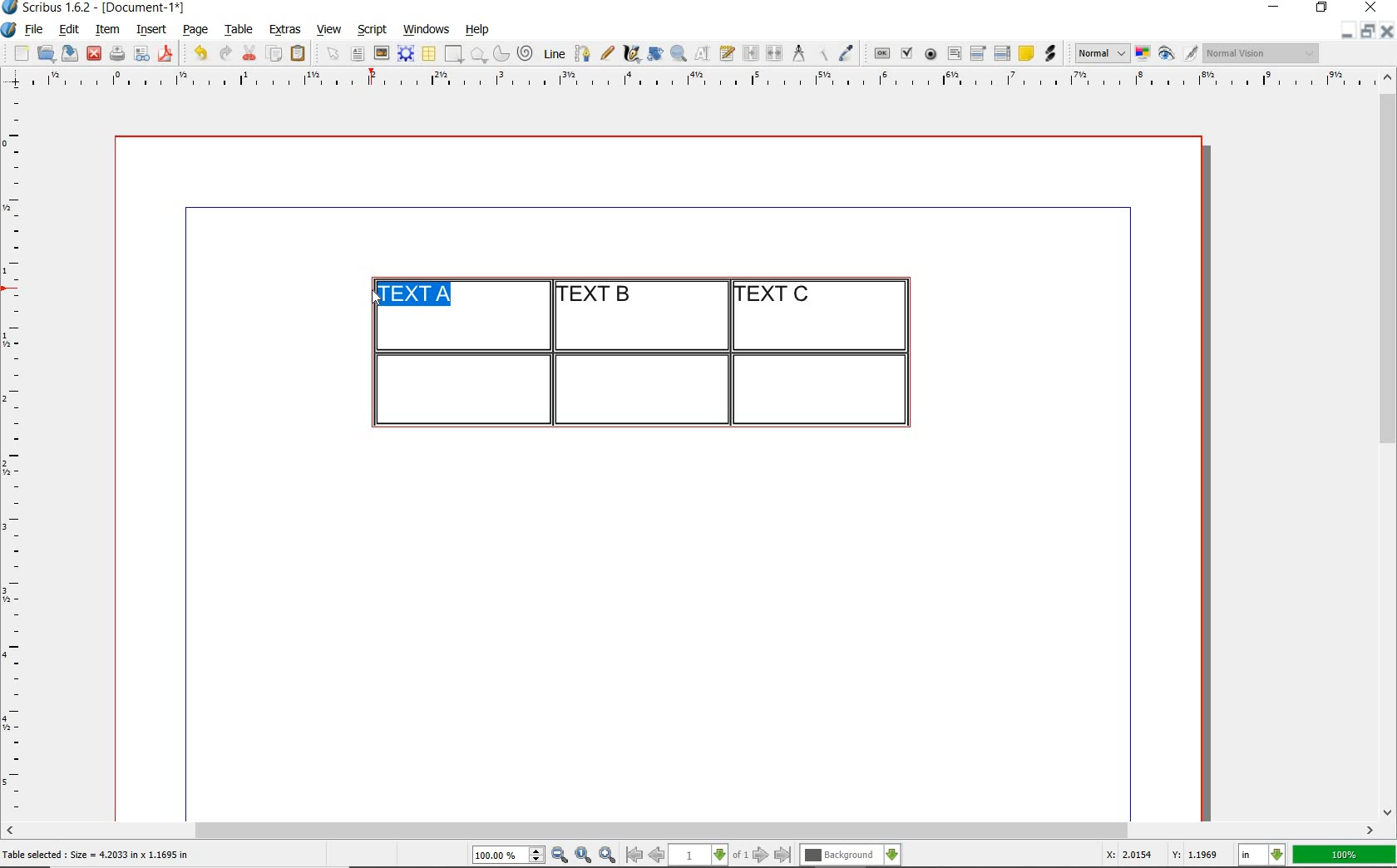 This screenshot has width=1397, height=868. I want to click on zoom in or zoom out, so click(679, 53).